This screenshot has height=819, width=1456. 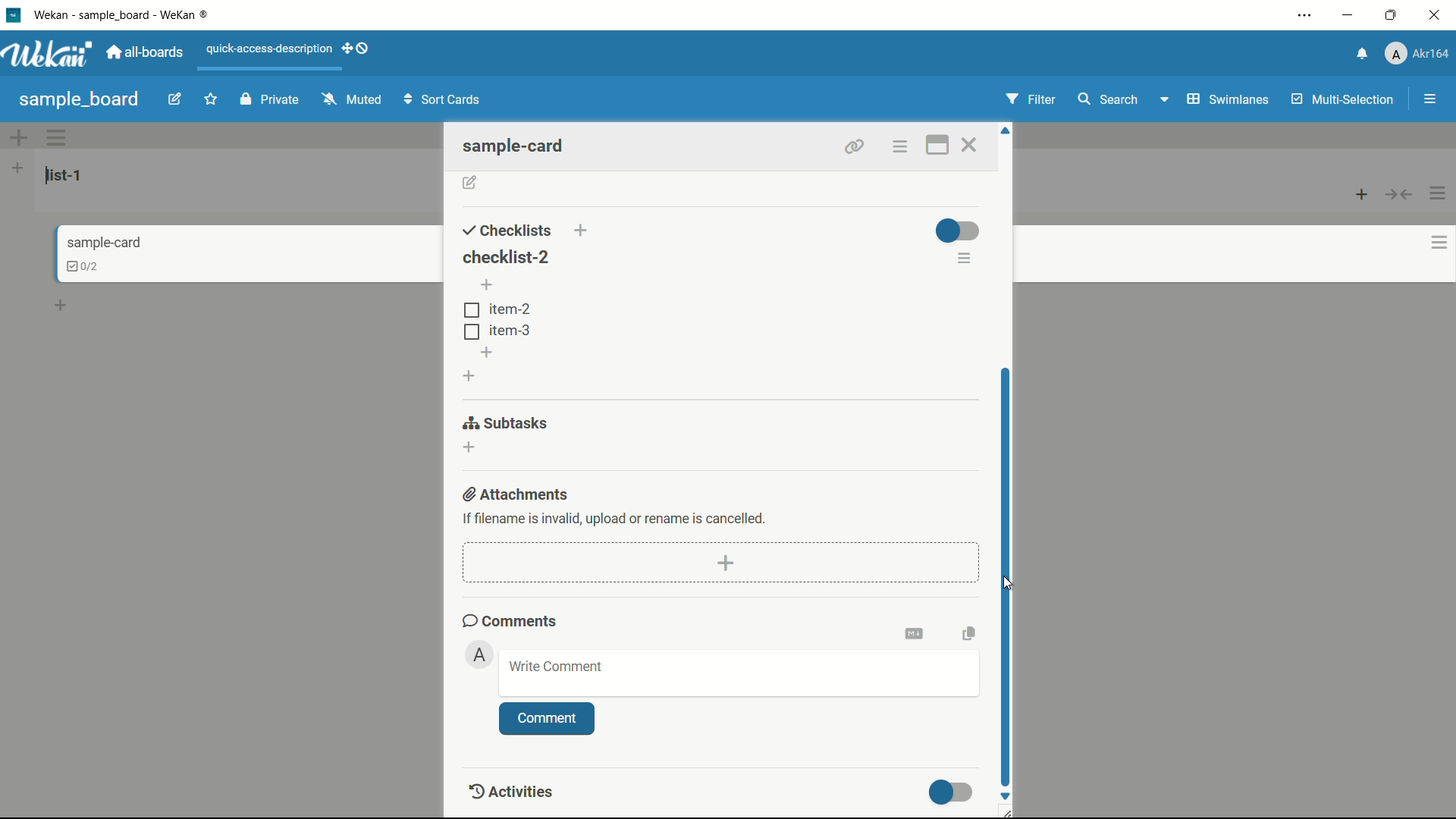 I want to click on app name, so click(x=131, y=14).